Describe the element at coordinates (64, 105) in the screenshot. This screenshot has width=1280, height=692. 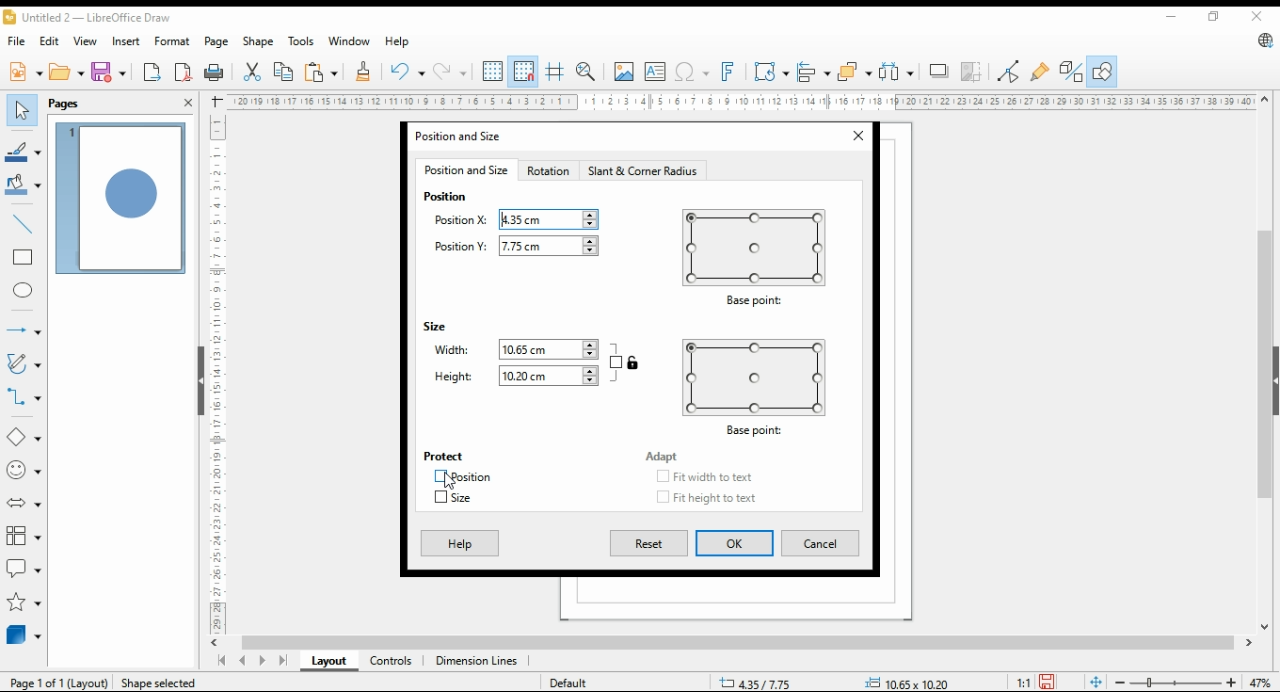
I see `pages` at that location.